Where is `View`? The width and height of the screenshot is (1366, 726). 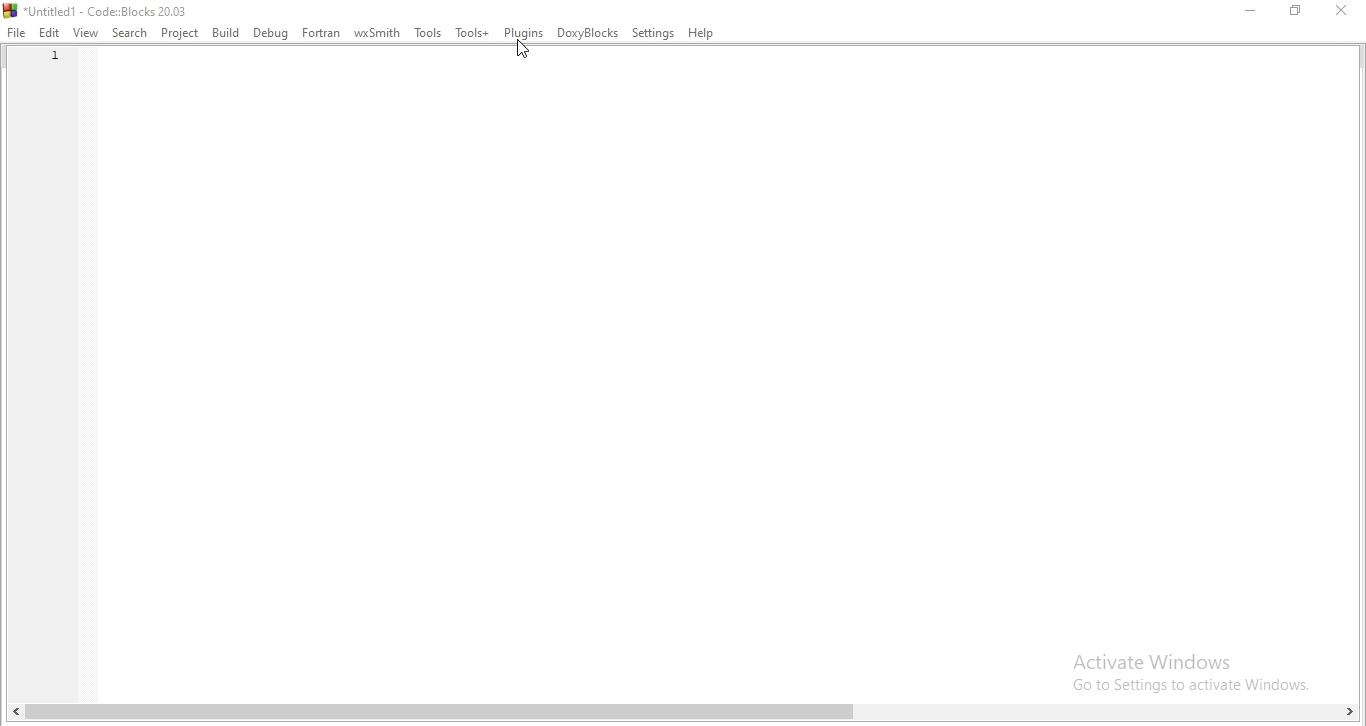 View is located at coordinates (85, 34).